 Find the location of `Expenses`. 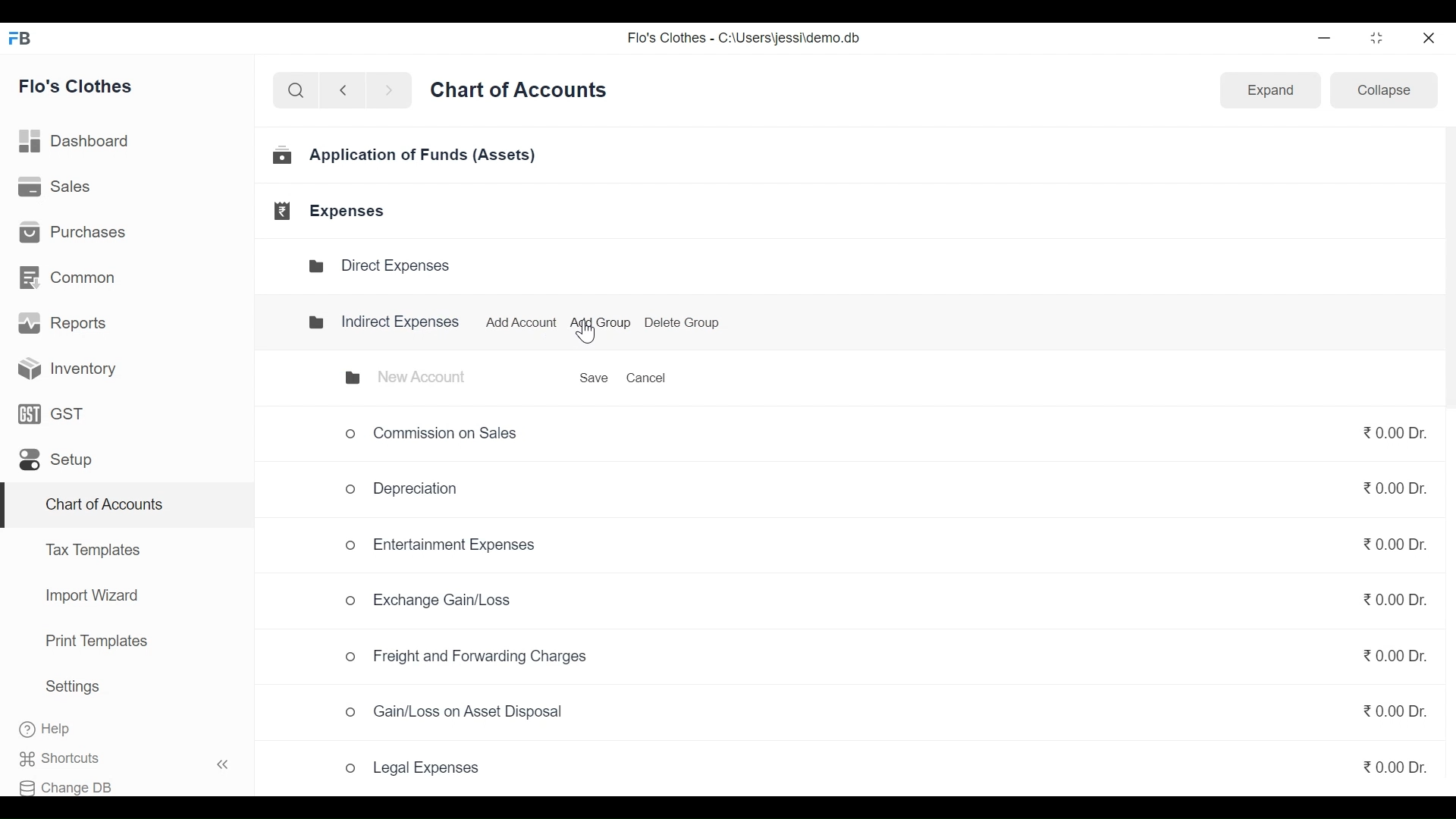

Expenses is located at coordinates (332, 211).